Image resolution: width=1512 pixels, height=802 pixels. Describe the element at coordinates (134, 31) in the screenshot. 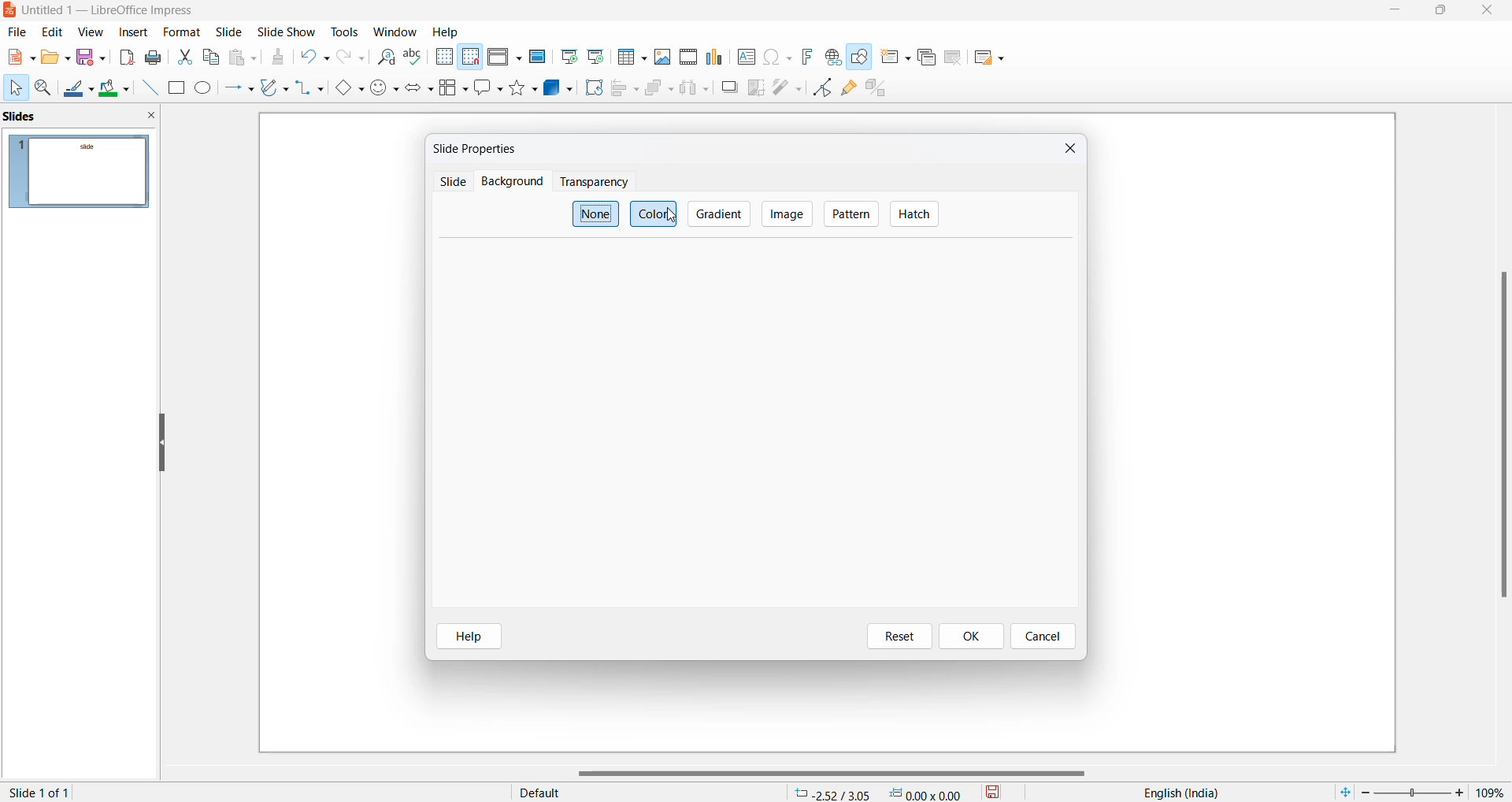

I see `insert` at that location.